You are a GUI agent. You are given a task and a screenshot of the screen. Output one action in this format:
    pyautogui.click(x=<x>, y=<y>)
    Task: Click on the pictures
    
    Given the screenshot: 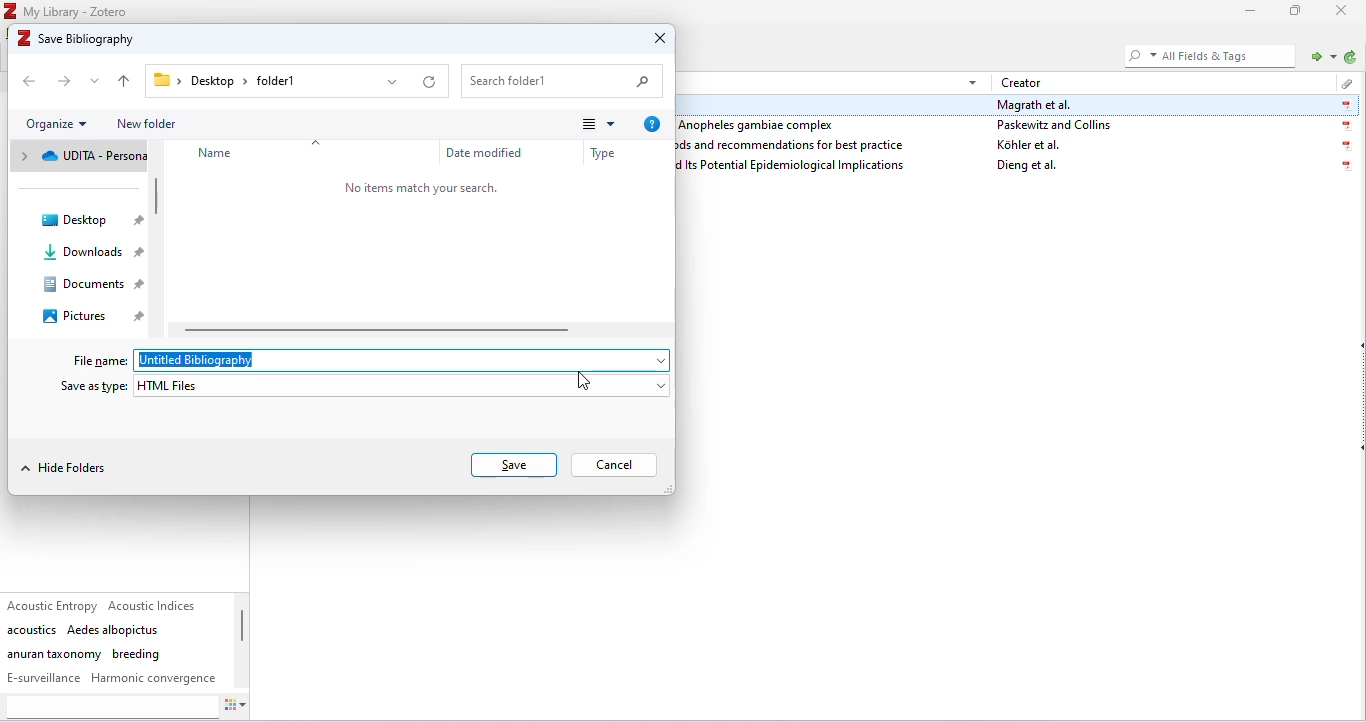 What is the action you would take?
    pyautogui.click(x=91, y=315)
    